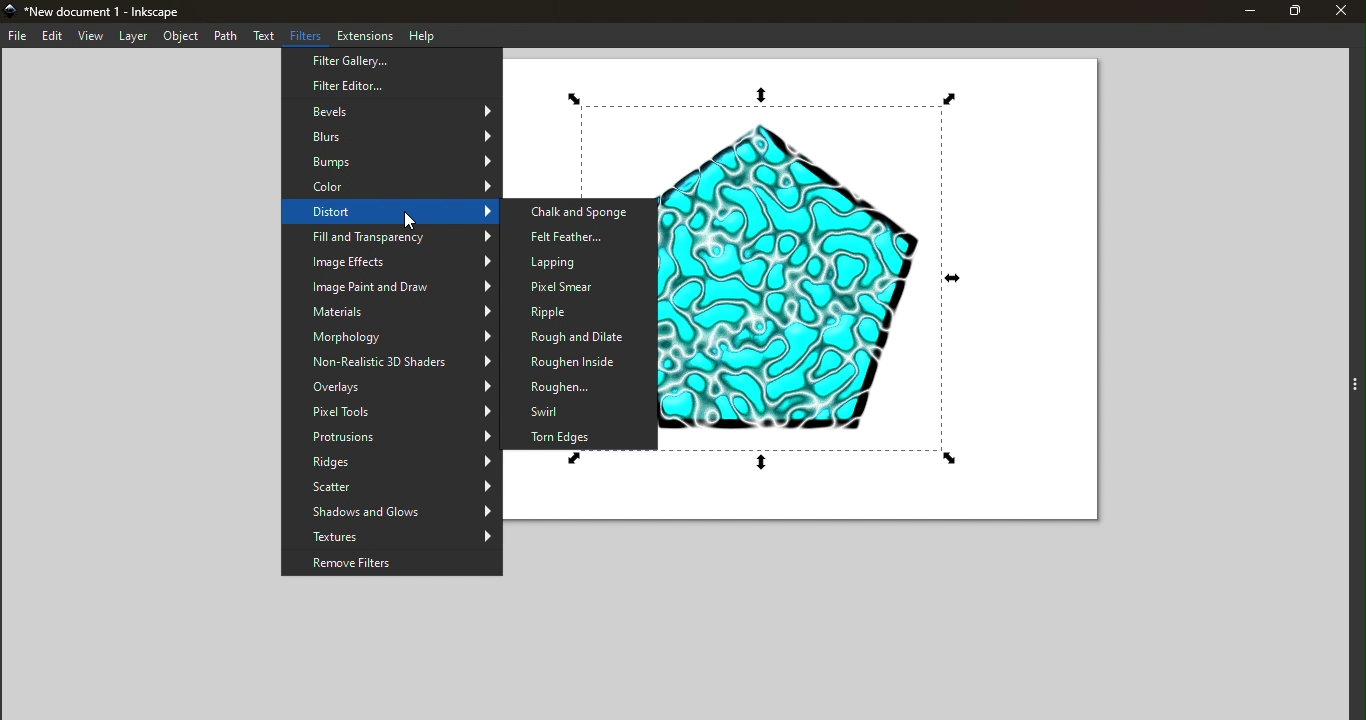 This screenshot has width=1366, height=720. I want to click on Chalk and Sponge, so click(577, 212).